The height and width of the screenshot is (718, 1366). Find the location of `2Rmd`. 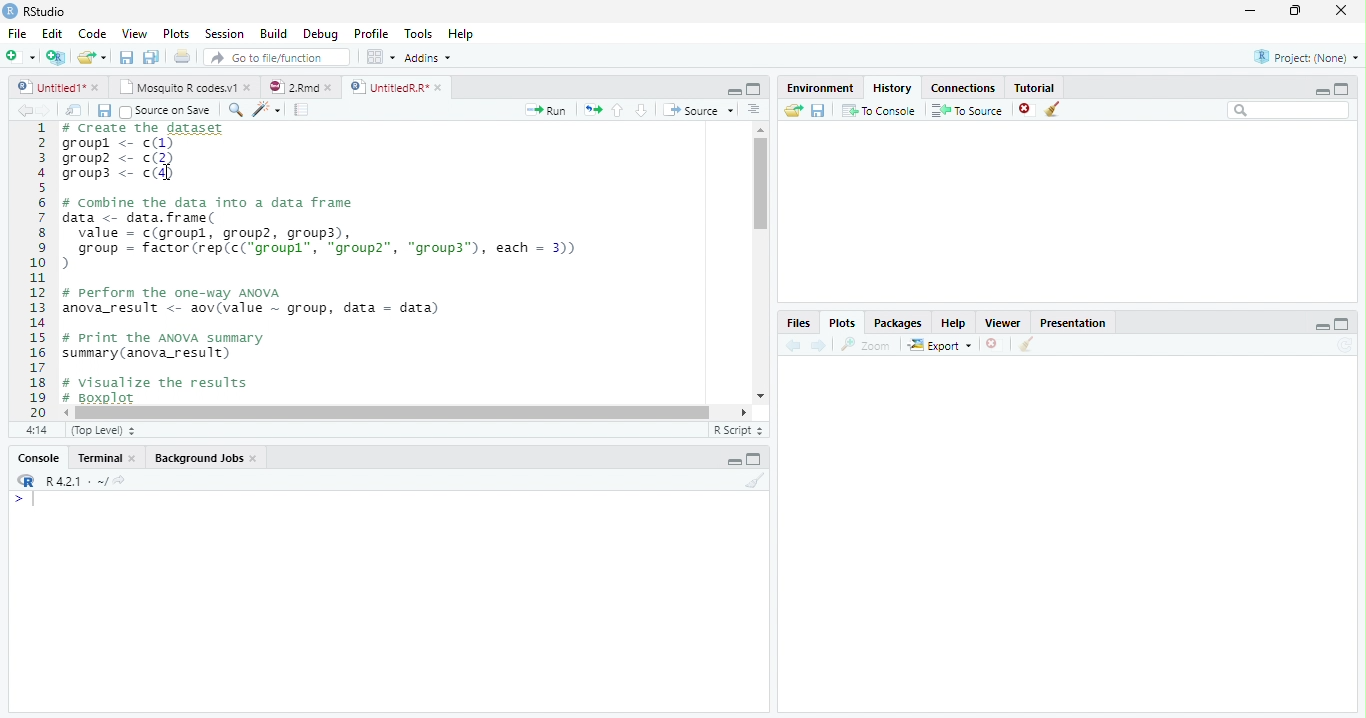

2Rmd is located at coordinates (299, 85).